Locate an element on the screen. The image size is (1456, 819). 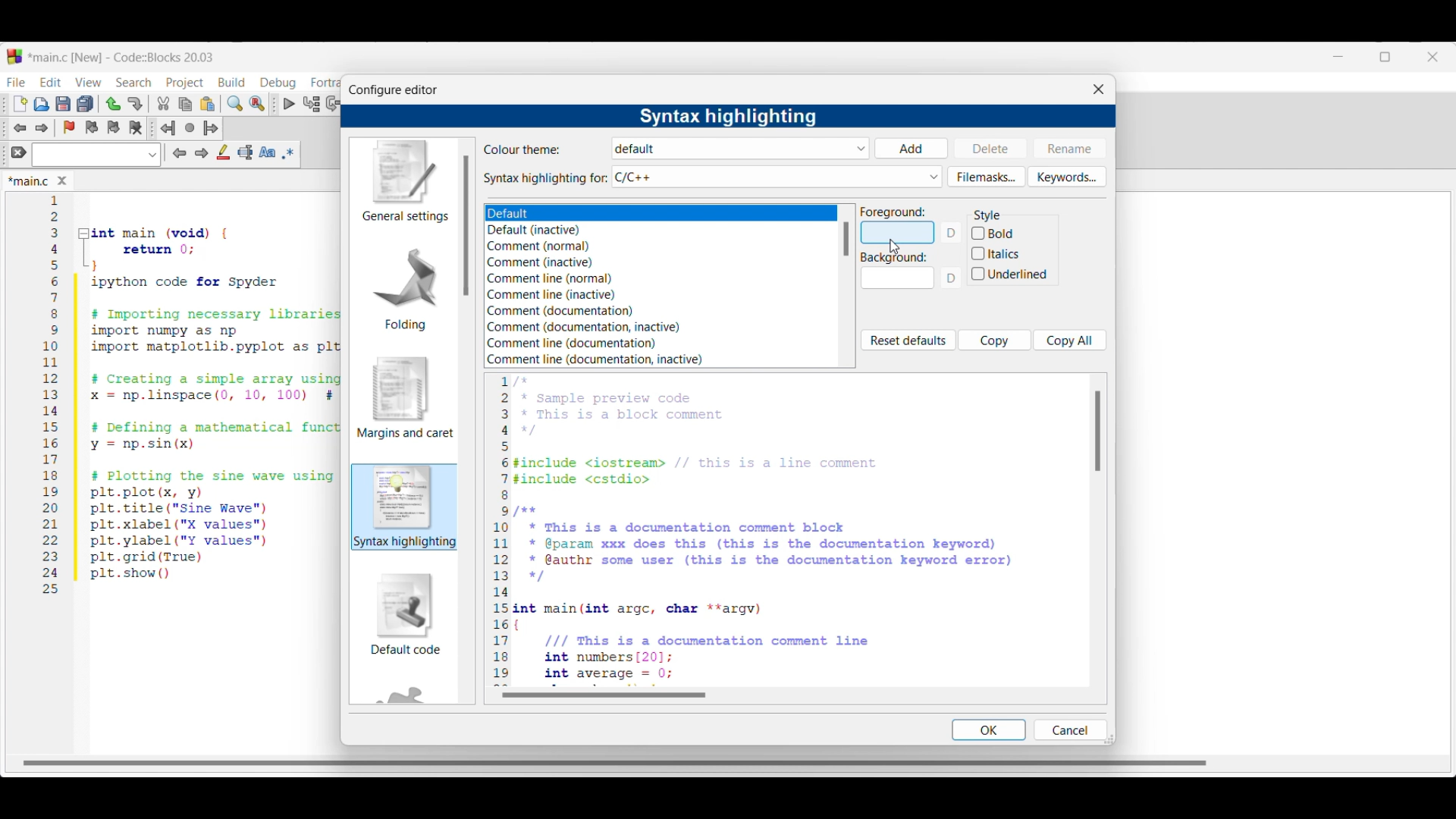
Background color options is located at coordinates (898, 281).